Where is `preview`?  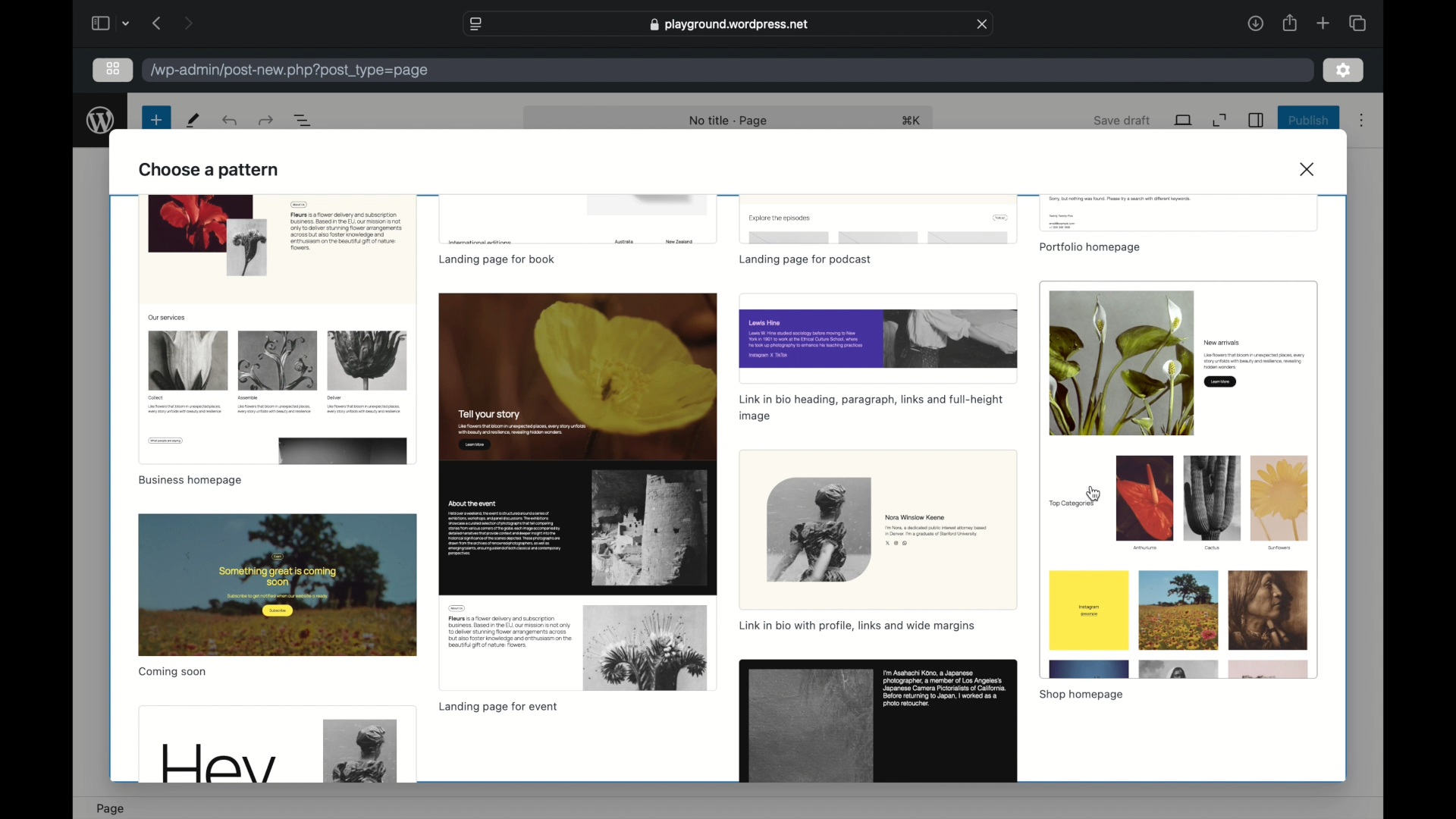
preview is located at coordinates (277, 744).